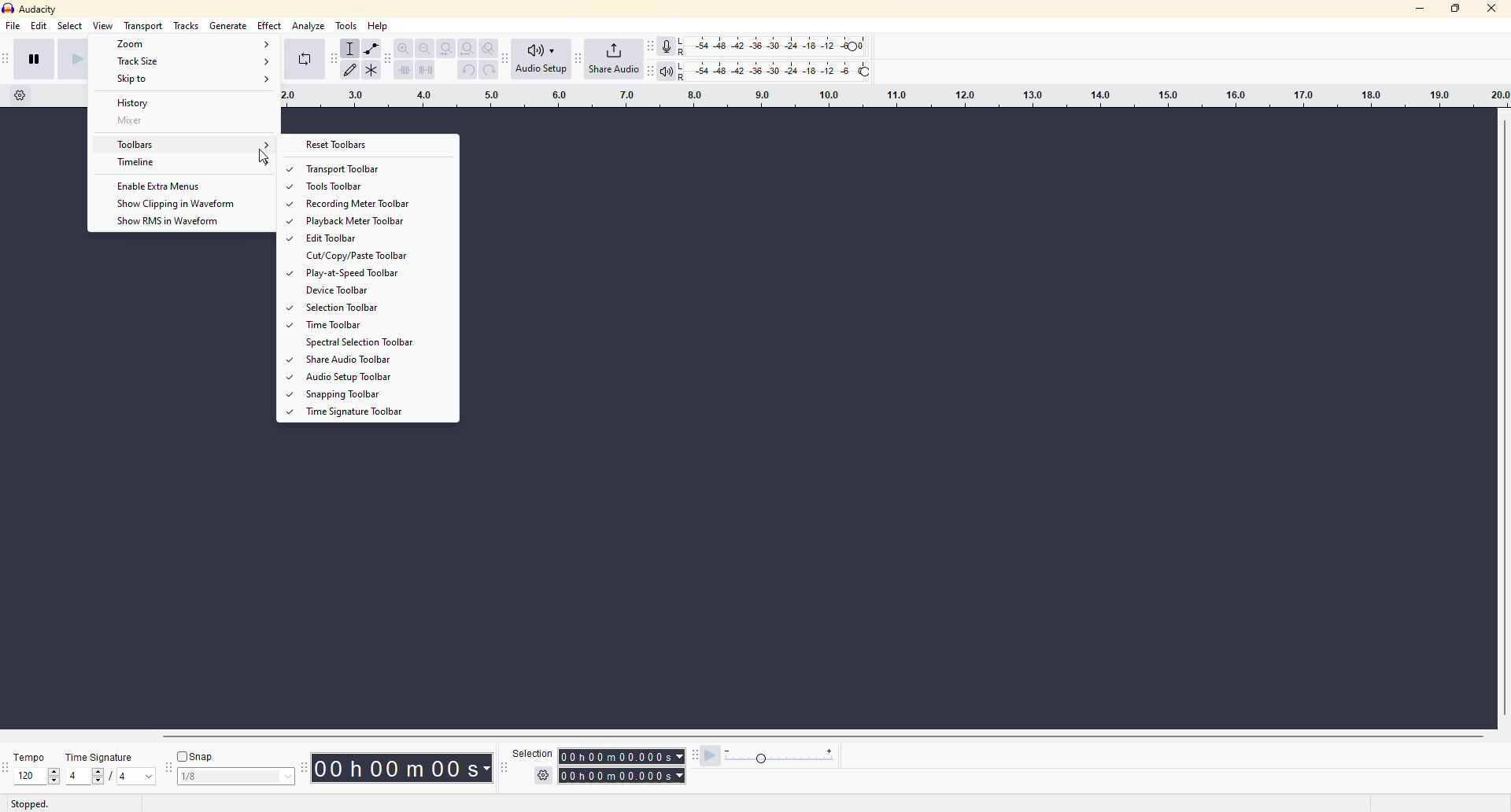  I want to click on values, so click(133, 777).